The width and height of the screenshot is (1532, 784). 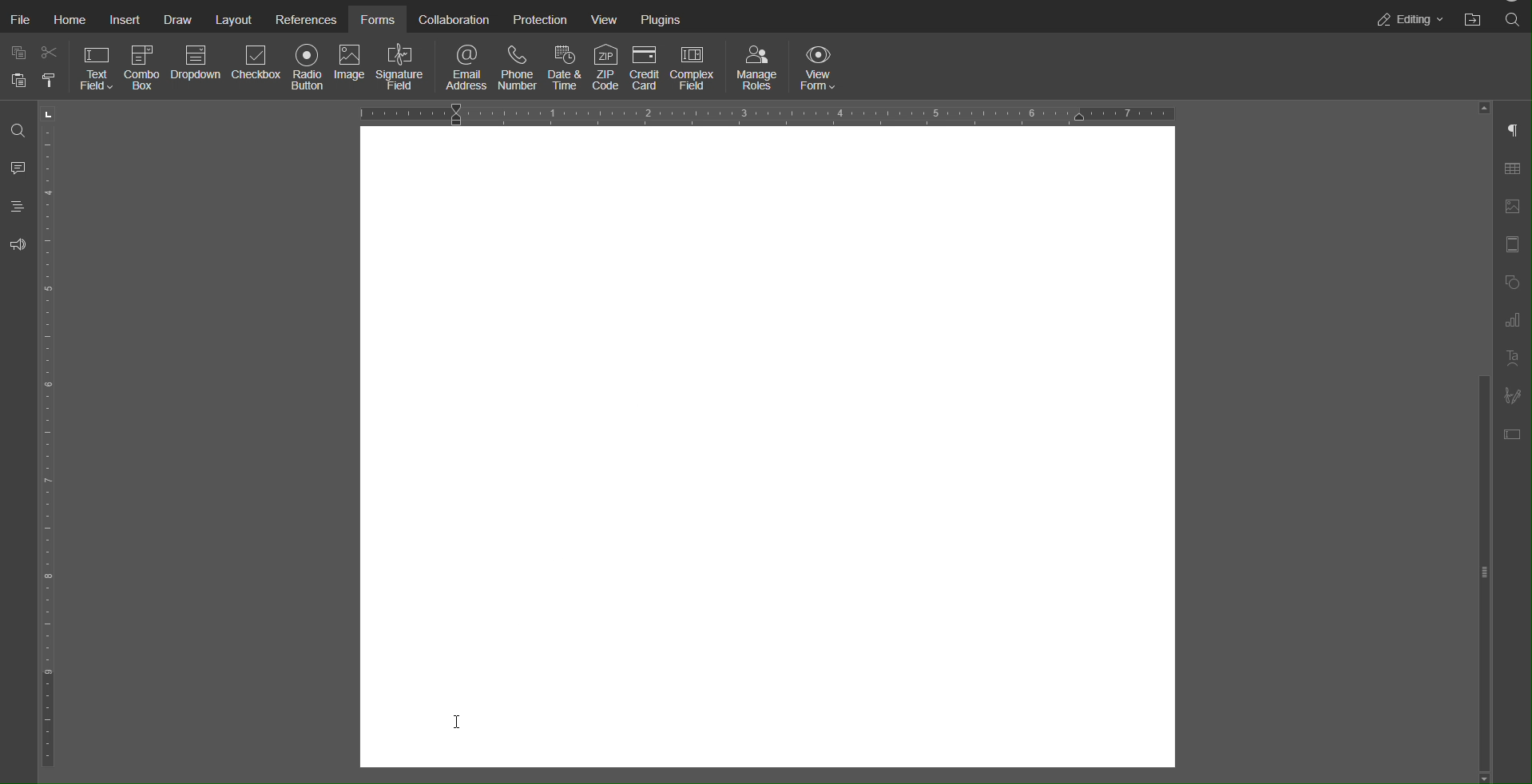 What do you see at coordinates (18, 168) in the screenshot?
I see `Comment` at bounding box center [18, 168].